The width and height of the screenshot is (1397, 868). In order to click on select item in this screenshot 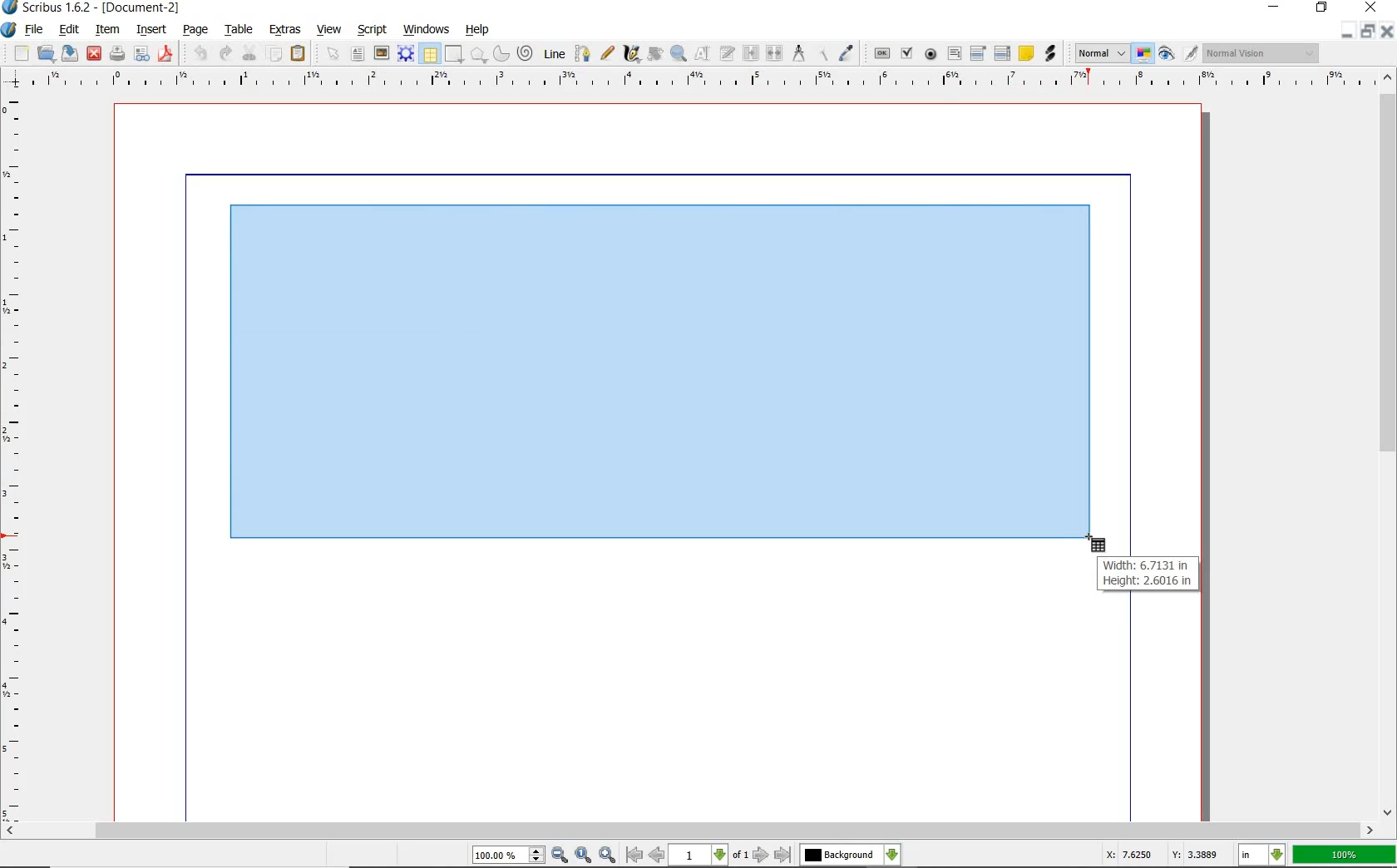, I will do `click(332, 52)`.